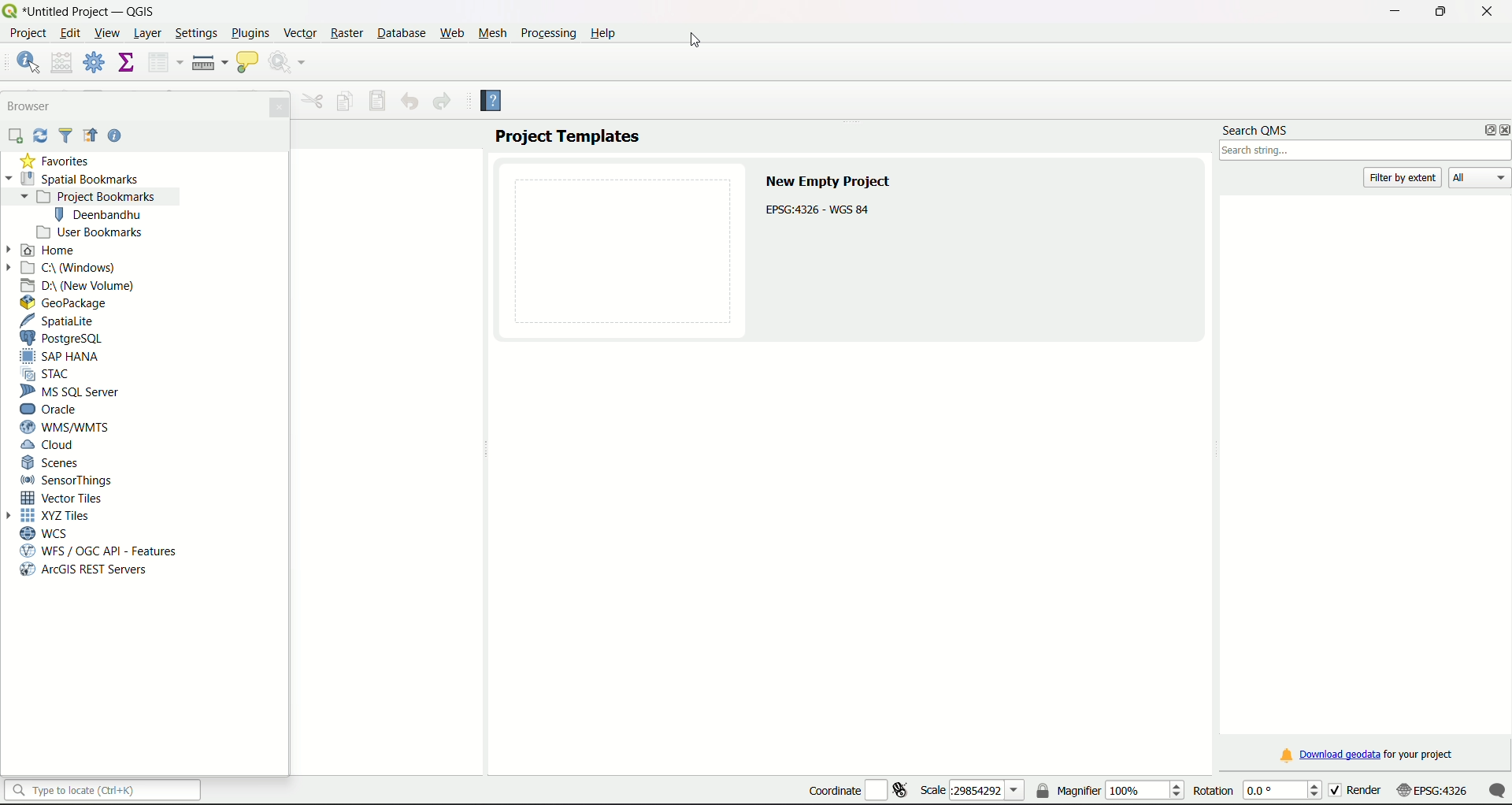  What do you see at coordinates (689, 46) in the screenshot?
I see `cursor` at bounding box center [689, 46].